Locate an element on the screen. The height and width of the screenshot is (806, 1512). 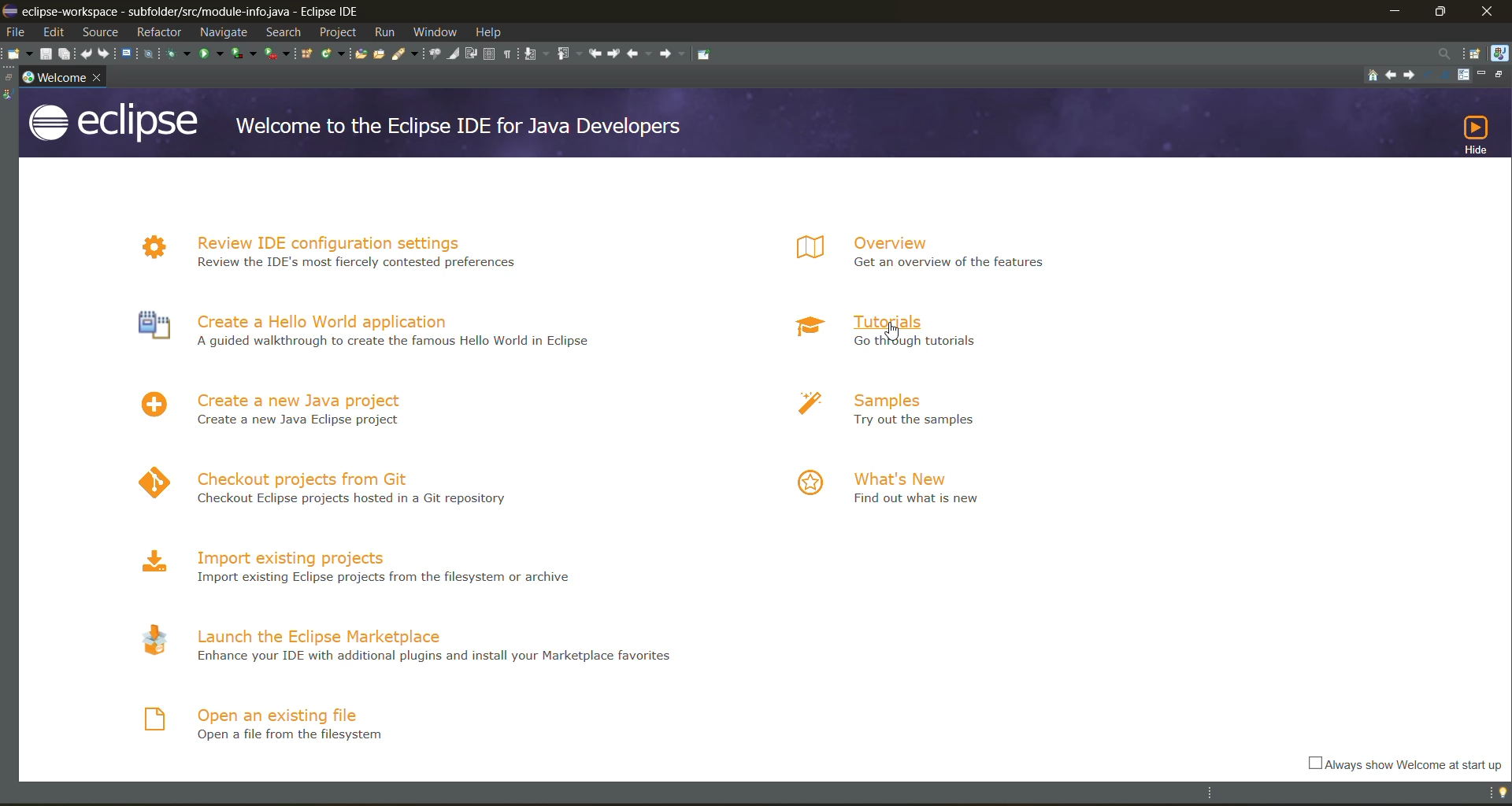
home is located at coordinates (1373, 76).